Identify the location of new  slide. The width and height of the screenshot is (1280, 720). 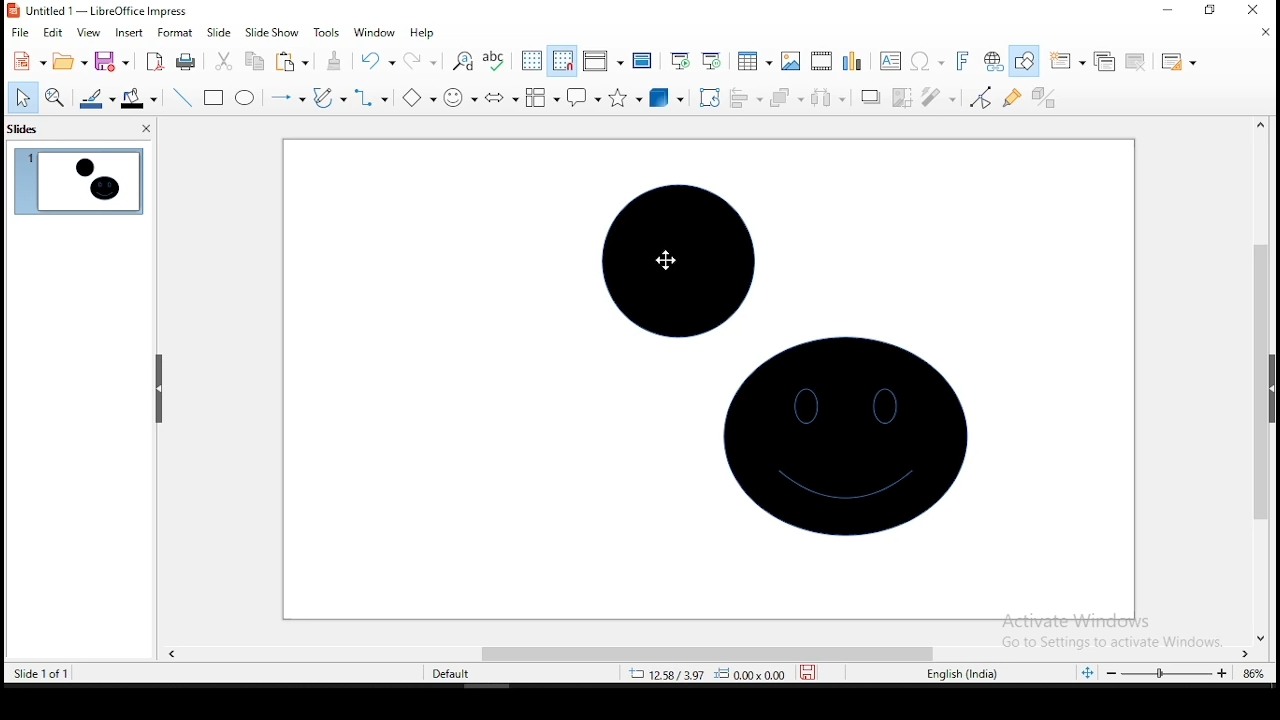
(1068, 59).